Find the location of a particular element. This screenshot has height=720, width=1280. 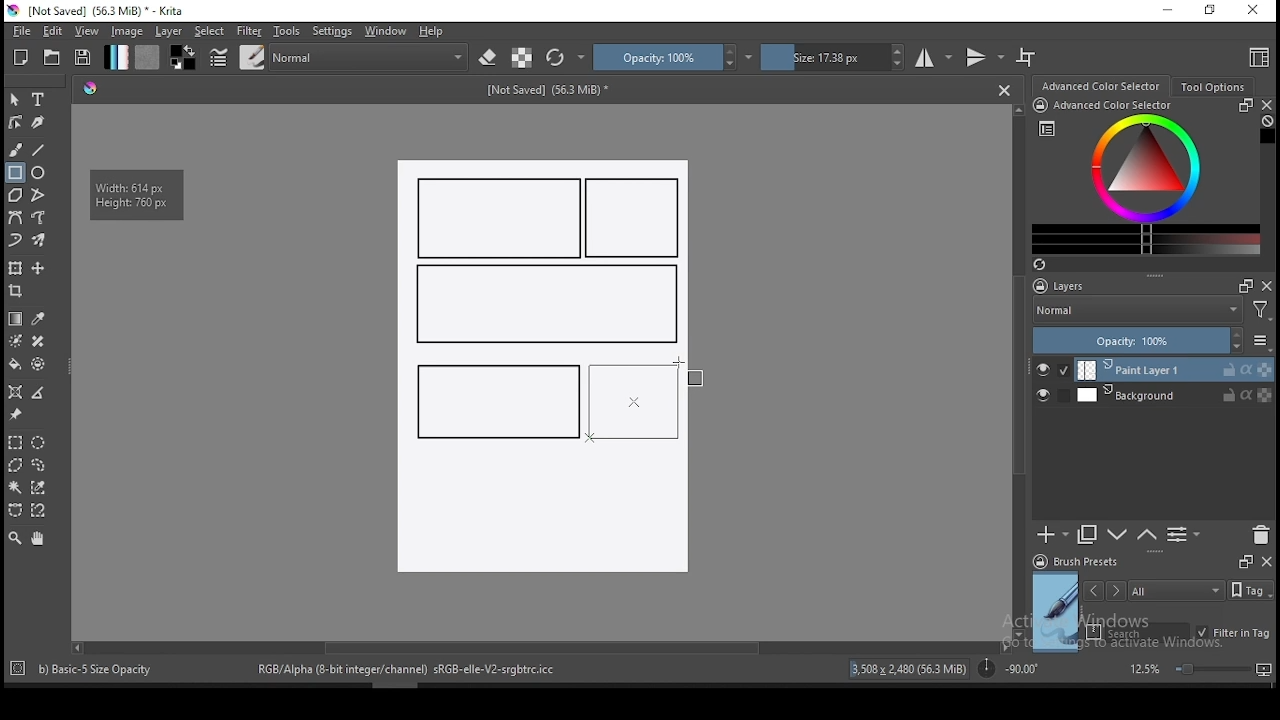

zoom level is located at coordinates (1200, 668).